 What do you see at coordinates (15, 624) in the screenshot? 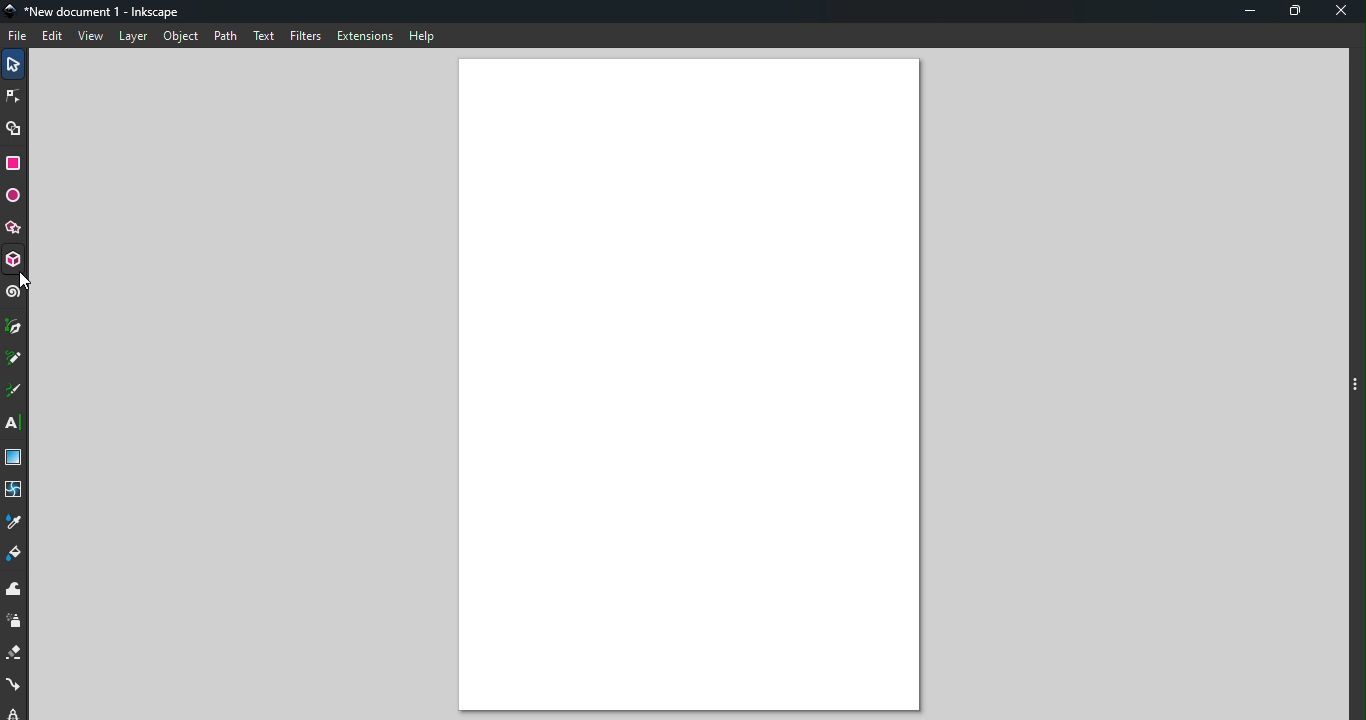
I see `Spray tool` at bounding box center [15, 624].